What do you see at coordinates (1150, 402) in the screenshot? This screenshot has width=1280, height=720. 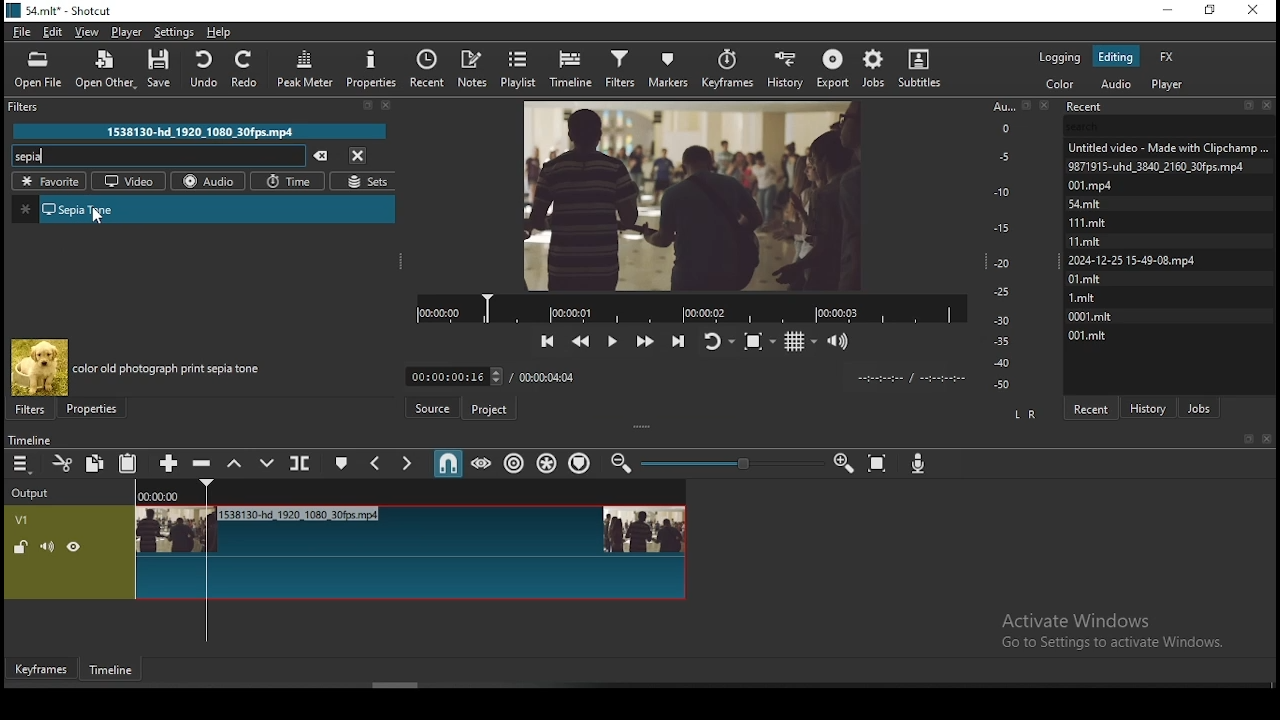 I see `history` at bounding box center [1150, 402].